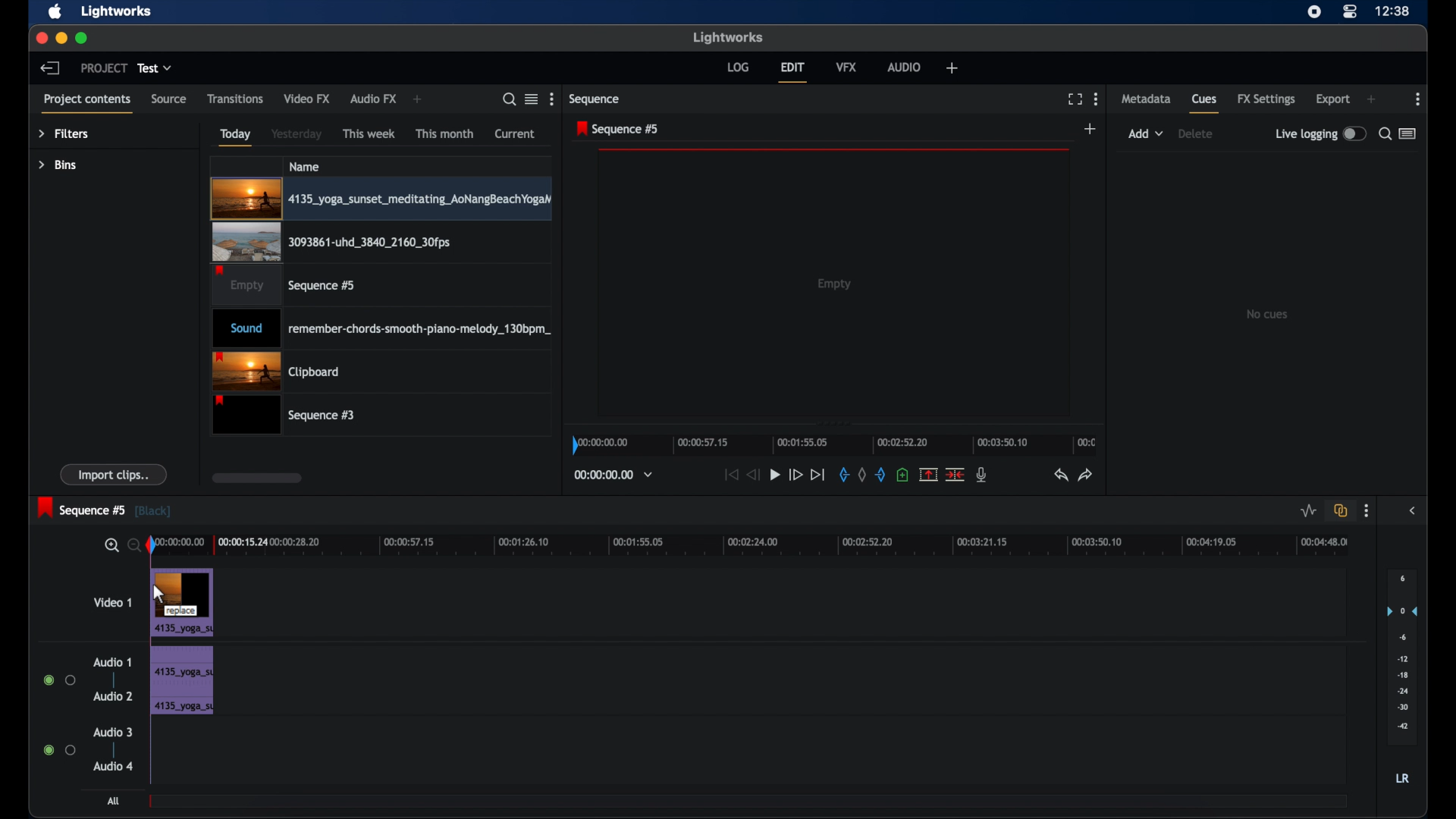  What do you see at coordinates (288, 416) in the screenshot?
I see `sequence 3` at bounding box center [288, 416].